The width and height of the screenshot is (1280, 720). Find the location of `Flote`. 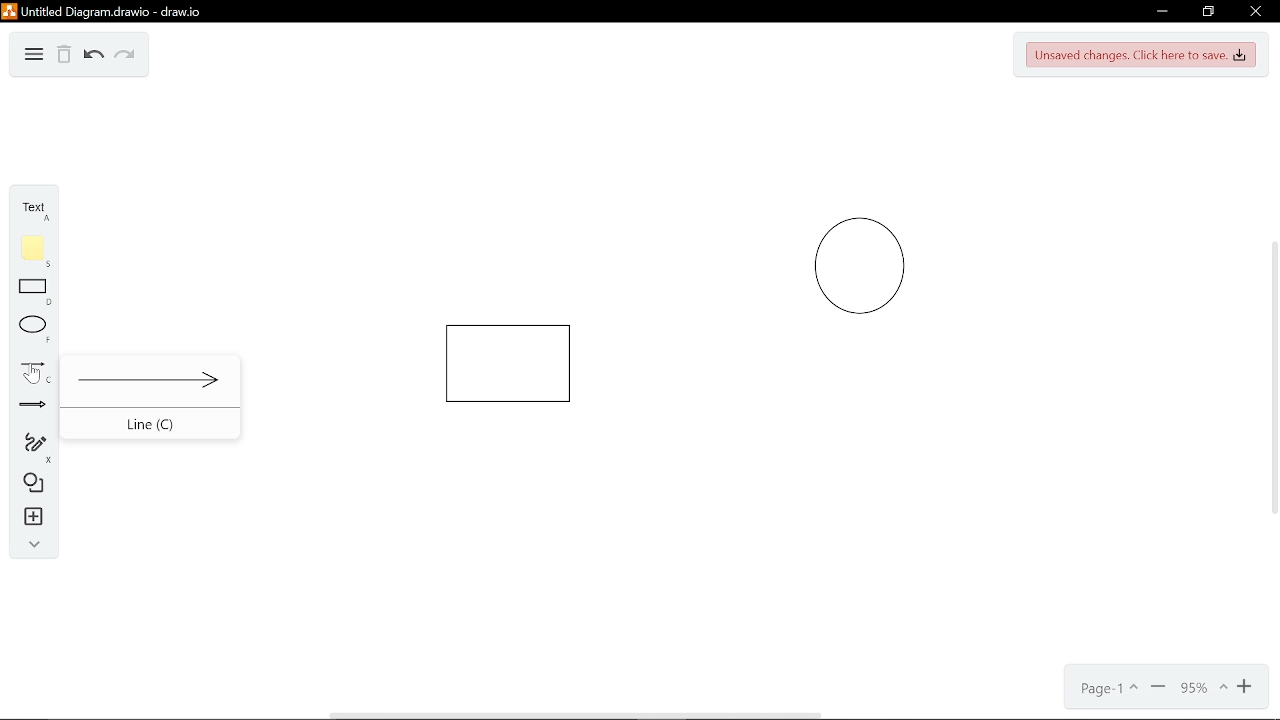

Flote is located at coordinates (29, 251).